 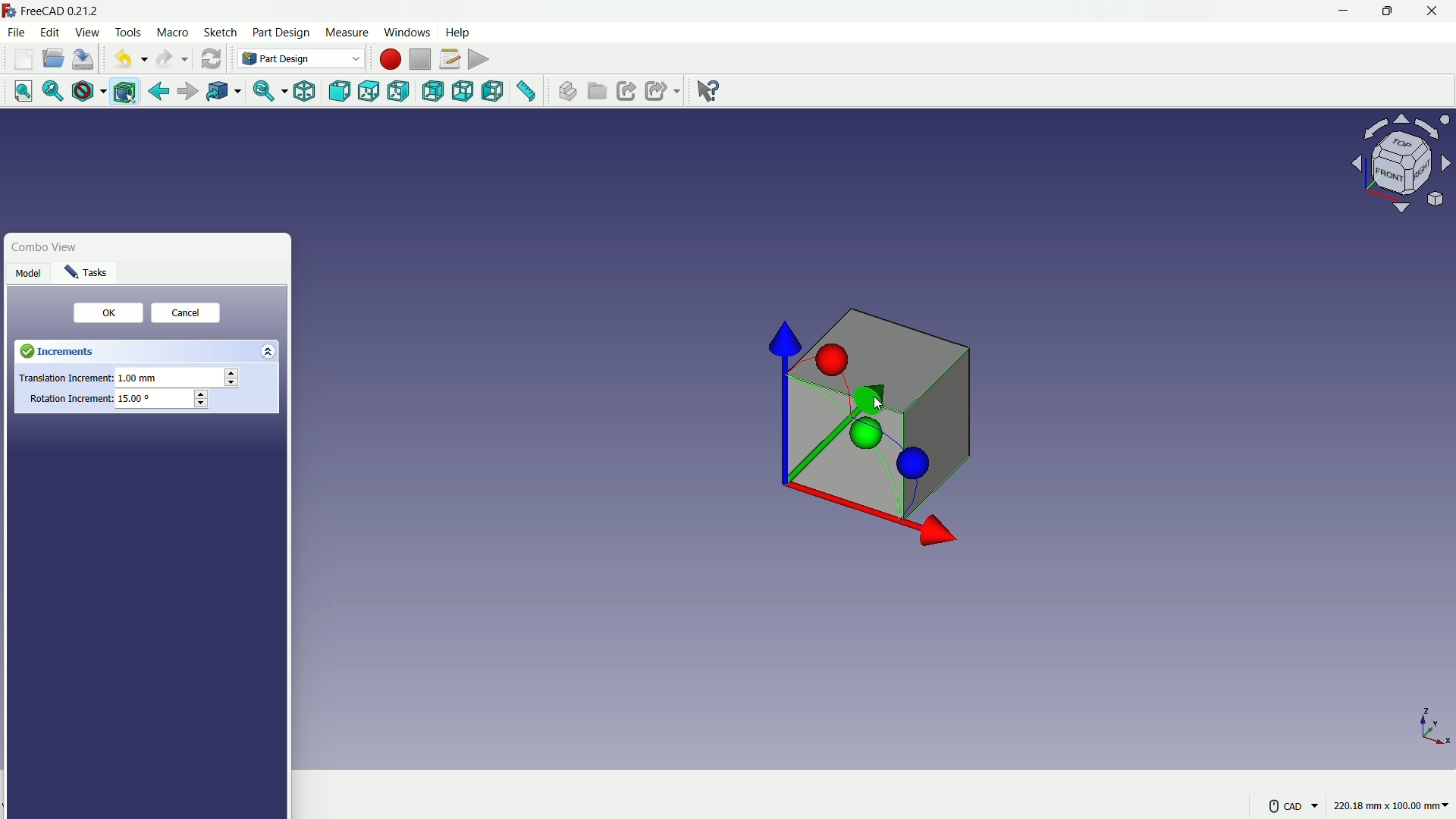 What do you see at coordinates (24, 59) in the screenshot?
I see `new file` at bounding box center [24, 59].